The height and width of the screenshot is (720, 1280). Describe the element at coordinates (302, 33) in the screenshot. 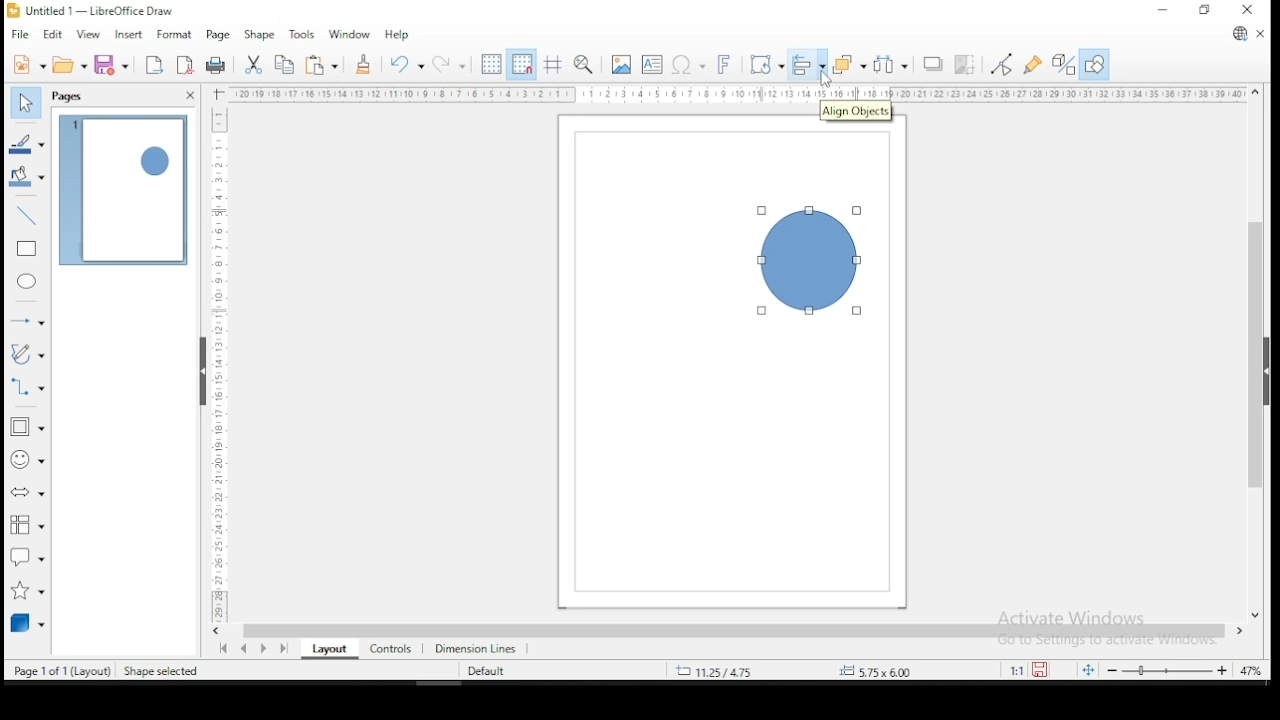

I see `tools` at that location.